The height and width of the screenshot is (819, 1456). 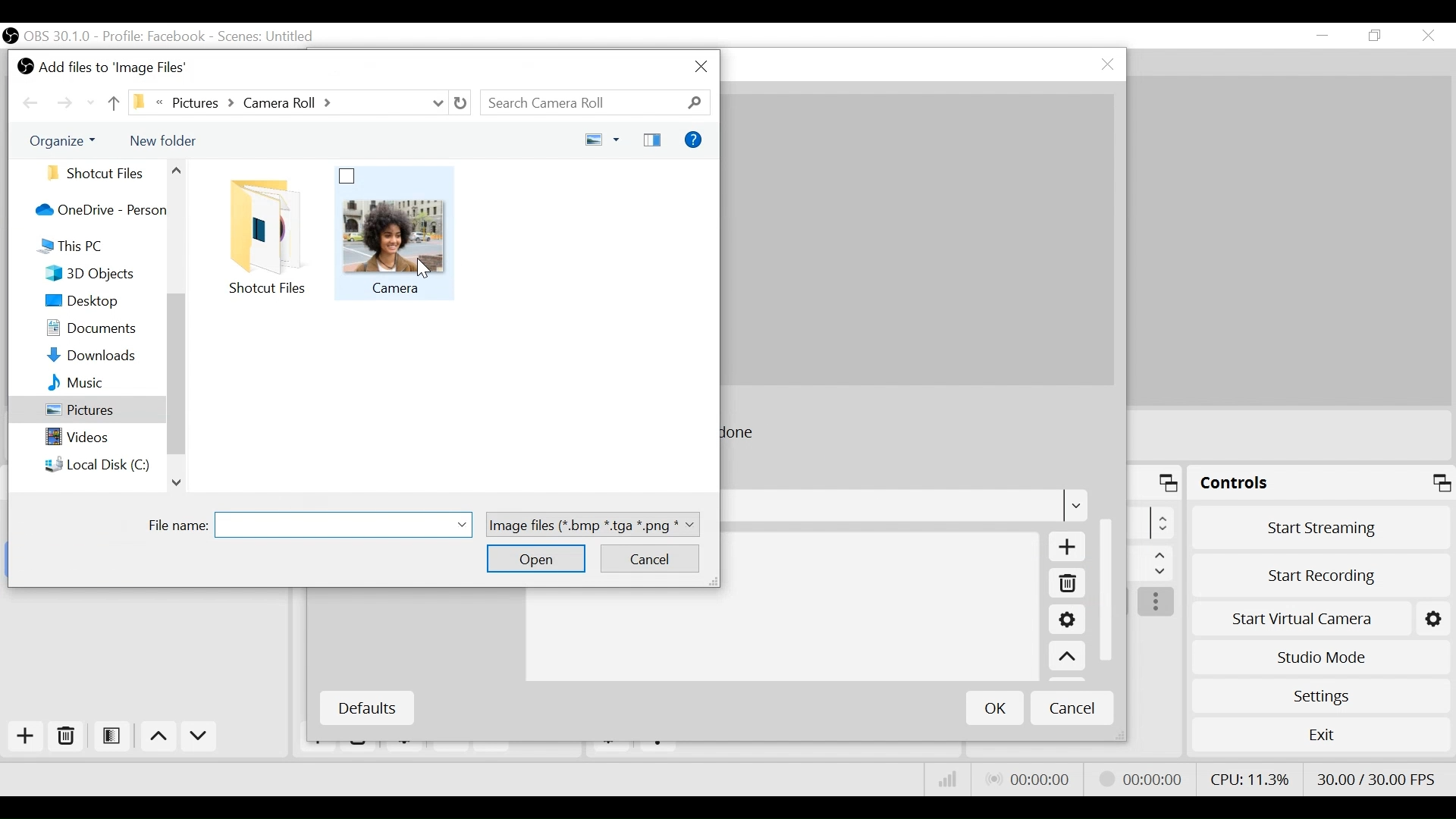 I want to click on 3D Objects, so click(x=103, y=275).